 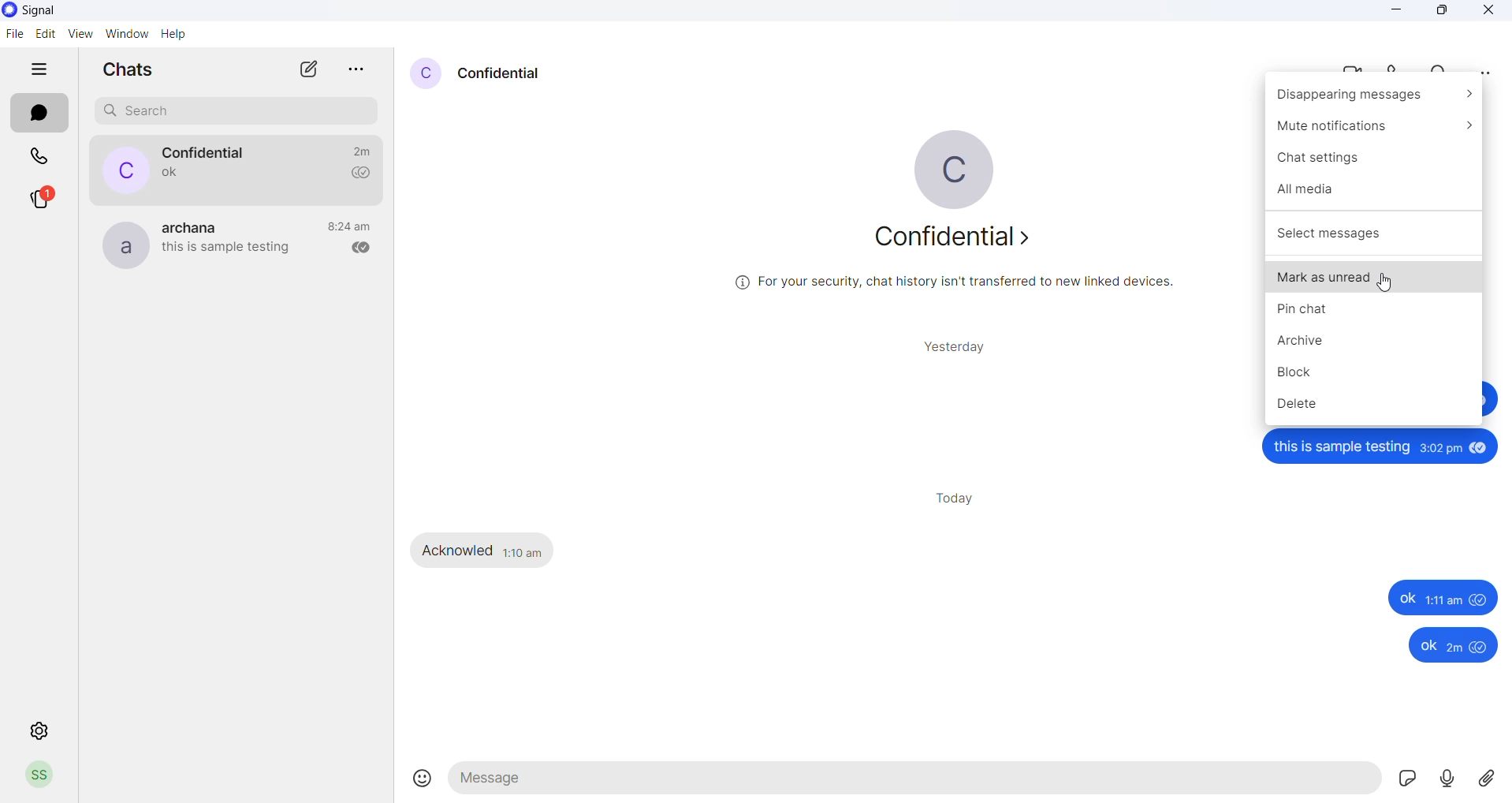 What do you see at coordinates (163, 176) in the screenshot?
I see `last message` at bounding box center [163, 176].